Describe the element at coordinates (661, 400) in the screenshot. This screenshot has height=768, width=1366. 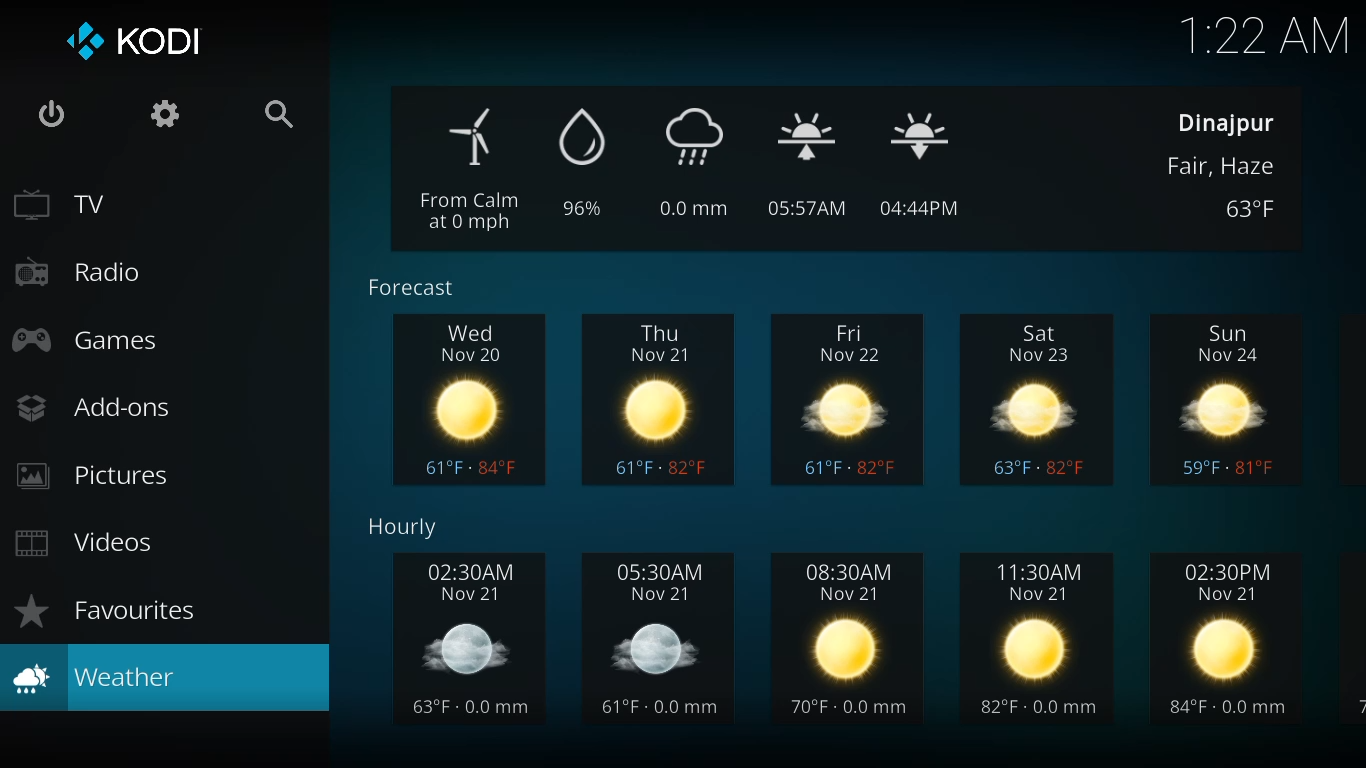
I see `thu` at that location.